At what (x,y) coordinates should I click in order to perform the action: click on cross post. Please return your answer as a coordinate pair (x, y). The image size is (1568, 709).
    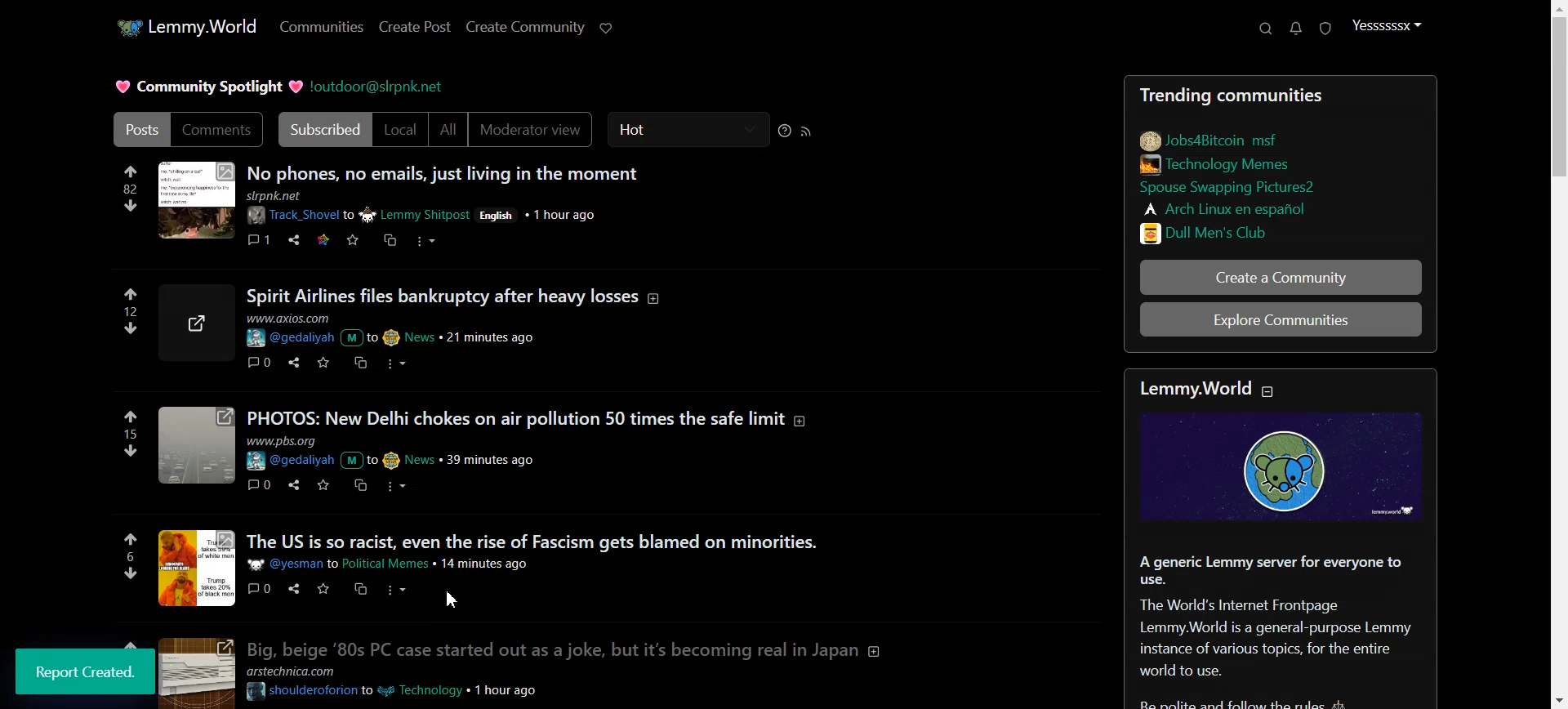
    Looking at the image, I should click on (359, 486).